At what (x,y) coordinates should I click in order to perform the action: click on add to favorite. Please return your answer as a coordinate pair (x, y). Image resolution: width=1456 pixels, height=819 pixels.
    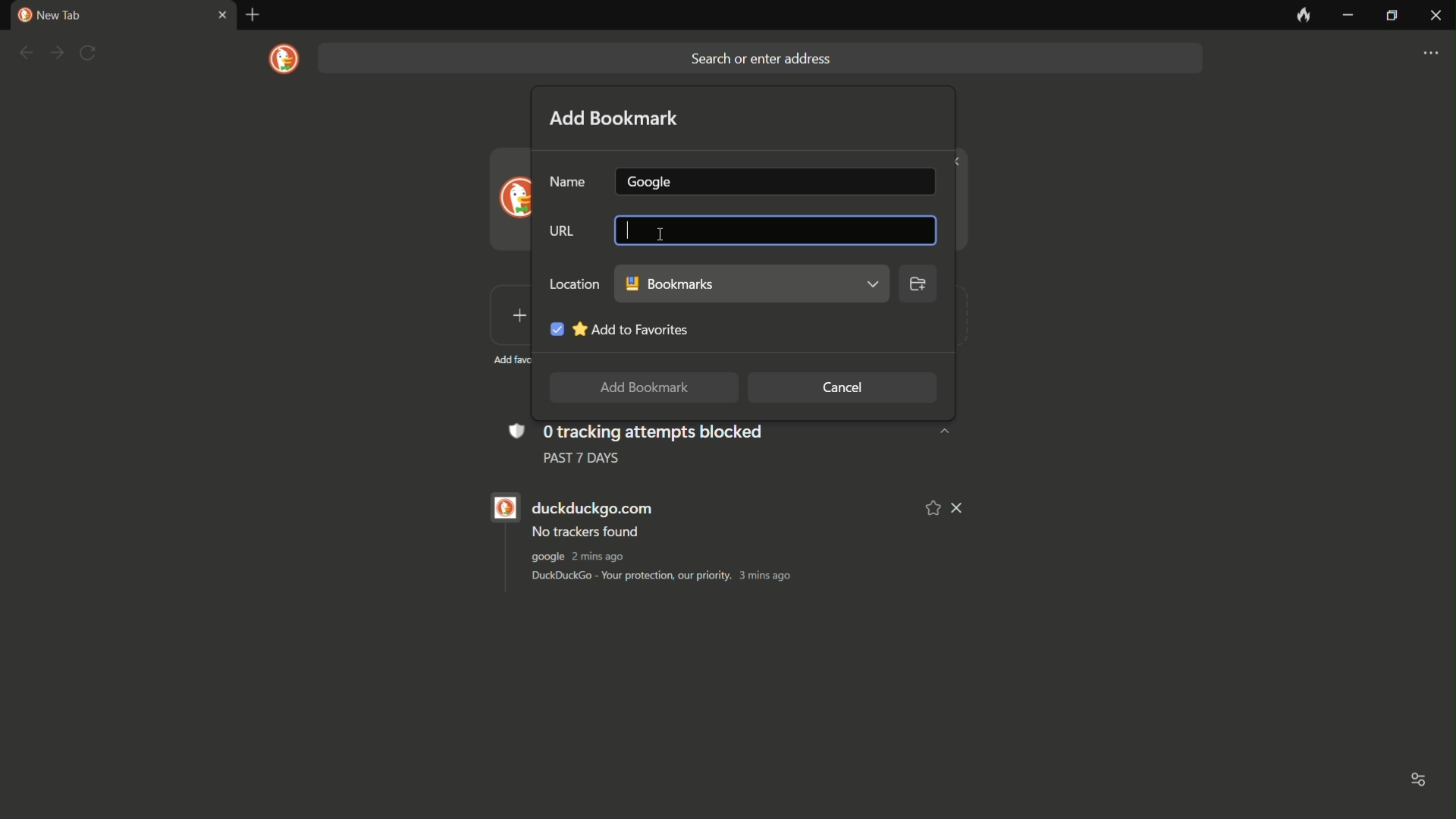
    Looking at the image, I should click on (934, 507).